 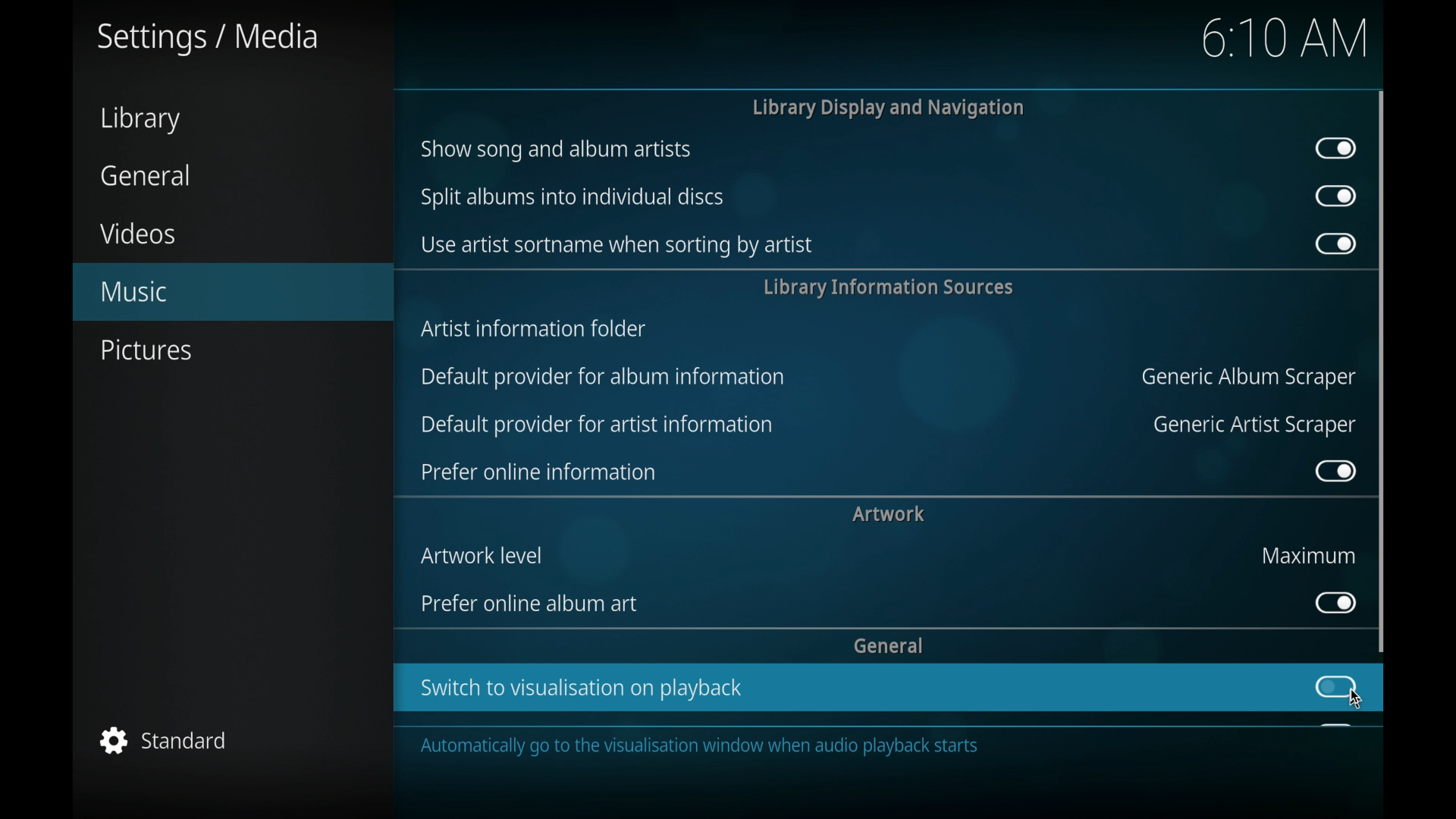 I want to click on toggle button, so click(x=1337, y=196).